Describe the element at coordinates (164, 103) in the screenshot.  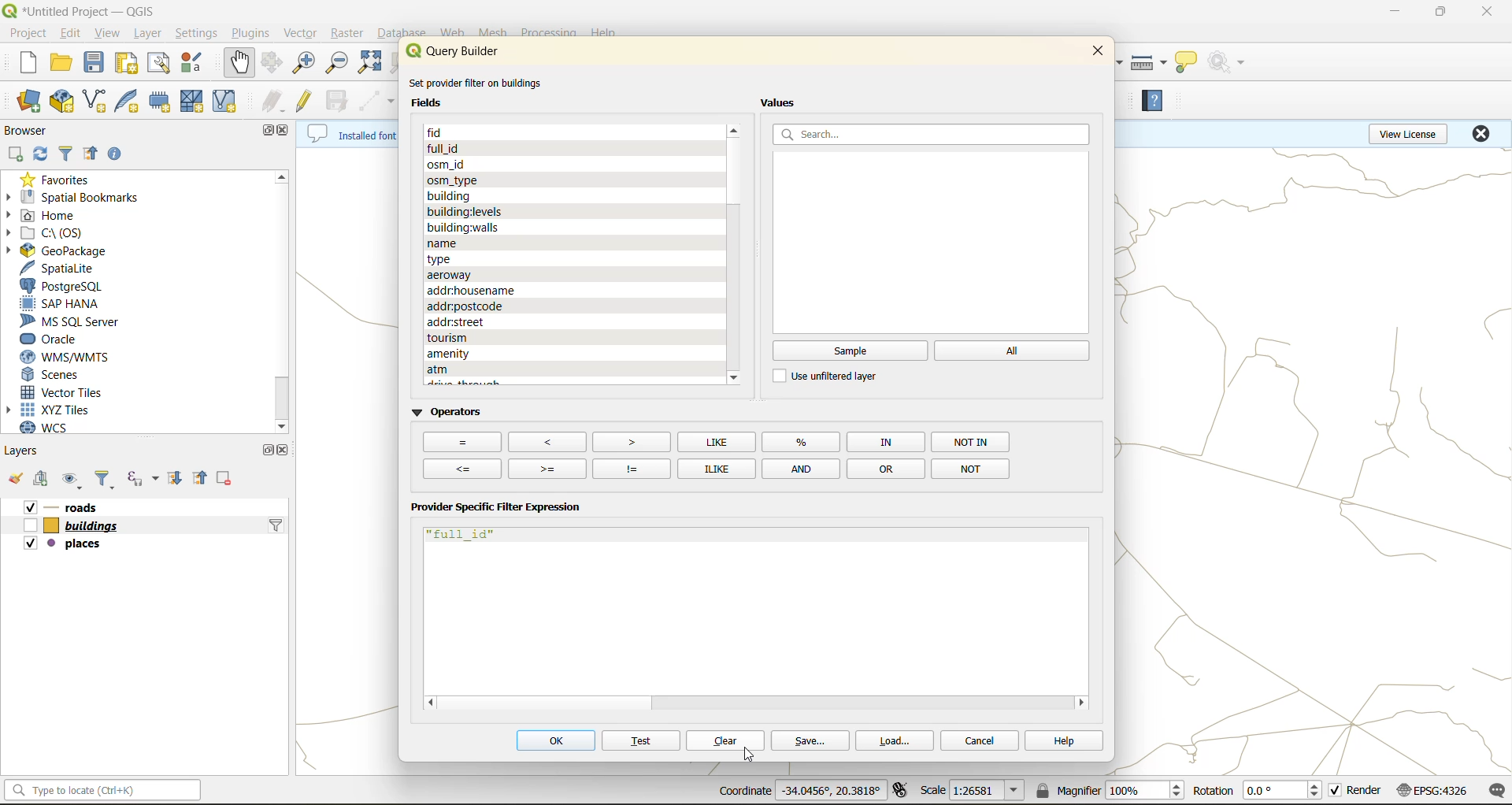
I see `temporary scratch layer` at that location.